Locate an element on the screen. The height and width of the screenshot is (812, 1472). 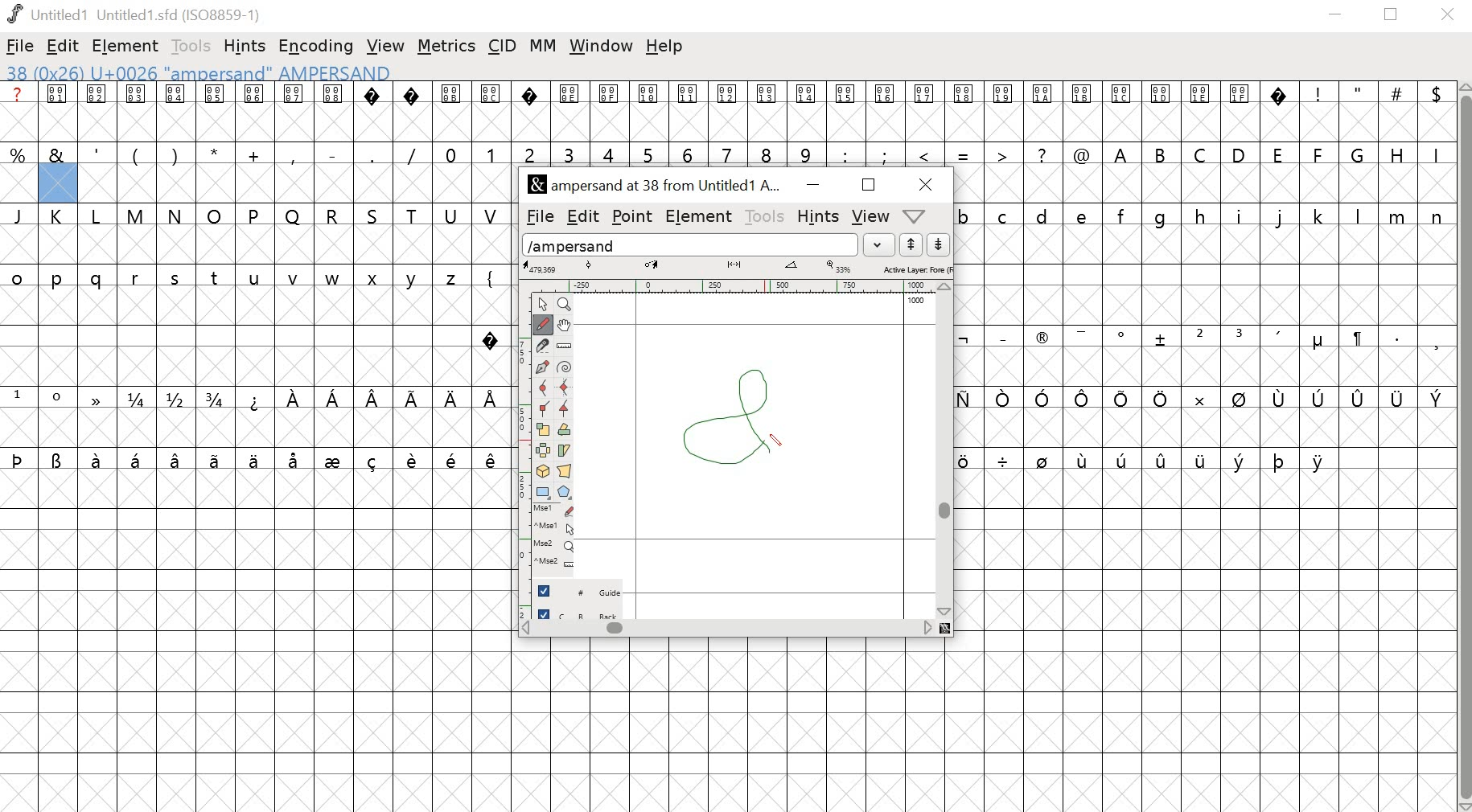
rotate the selection in 3D and project back to plane  is located at coordinates (544, 471).